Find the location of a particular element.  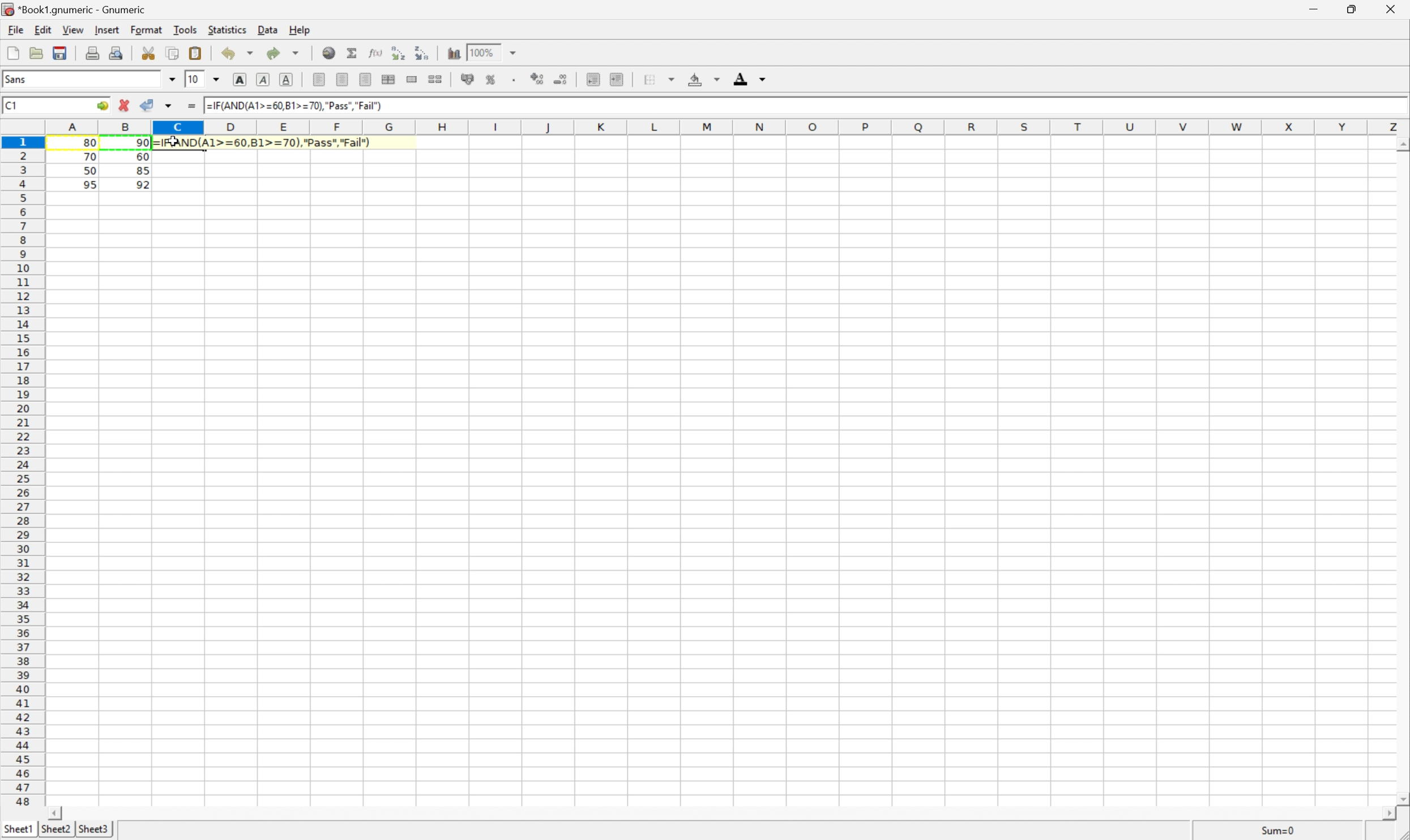

Create a new workbook is located at coordinates (12, 50).